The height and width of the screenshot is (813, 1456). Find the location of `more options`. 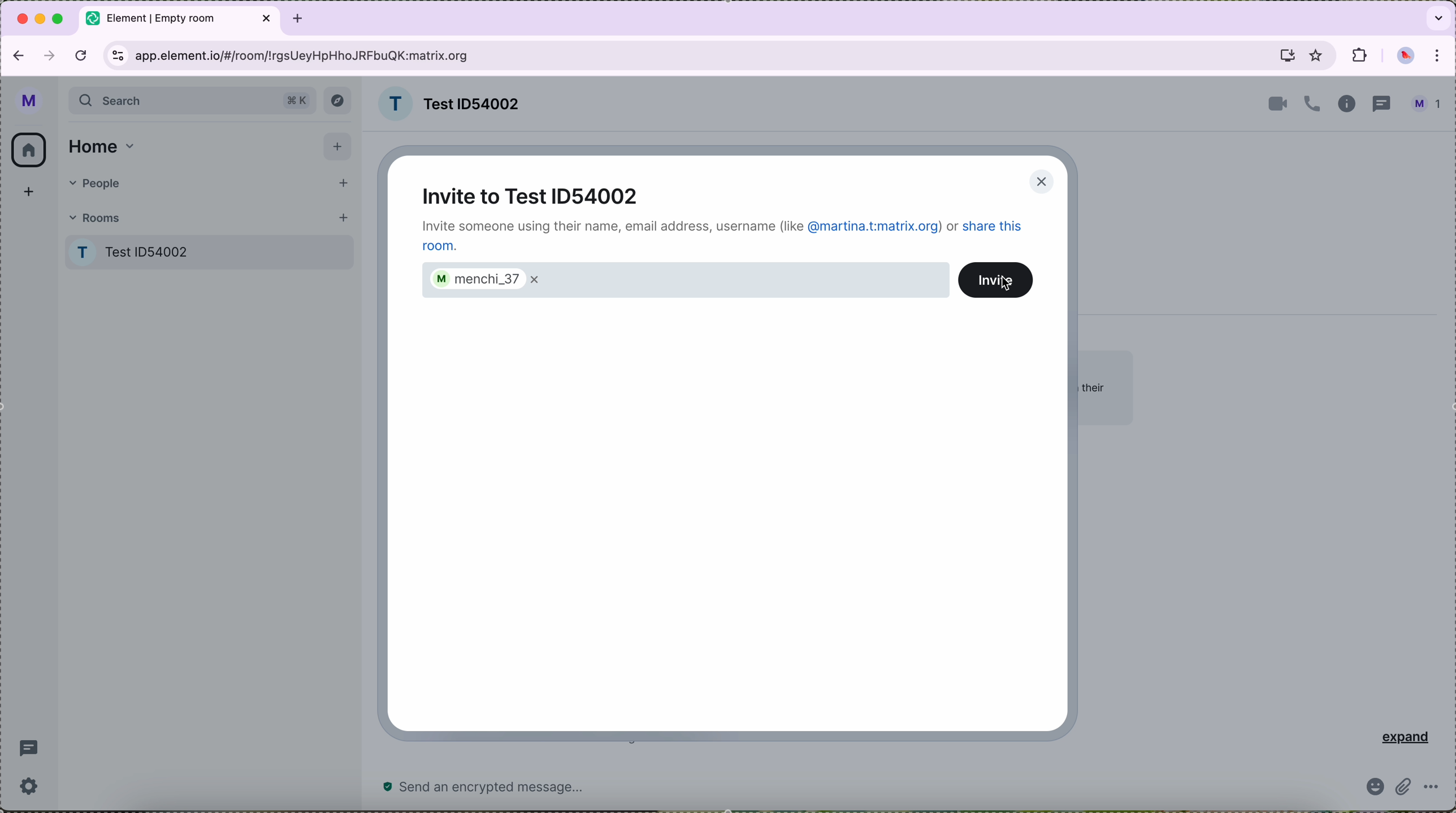

more options is located at coordinates (1432, 788).